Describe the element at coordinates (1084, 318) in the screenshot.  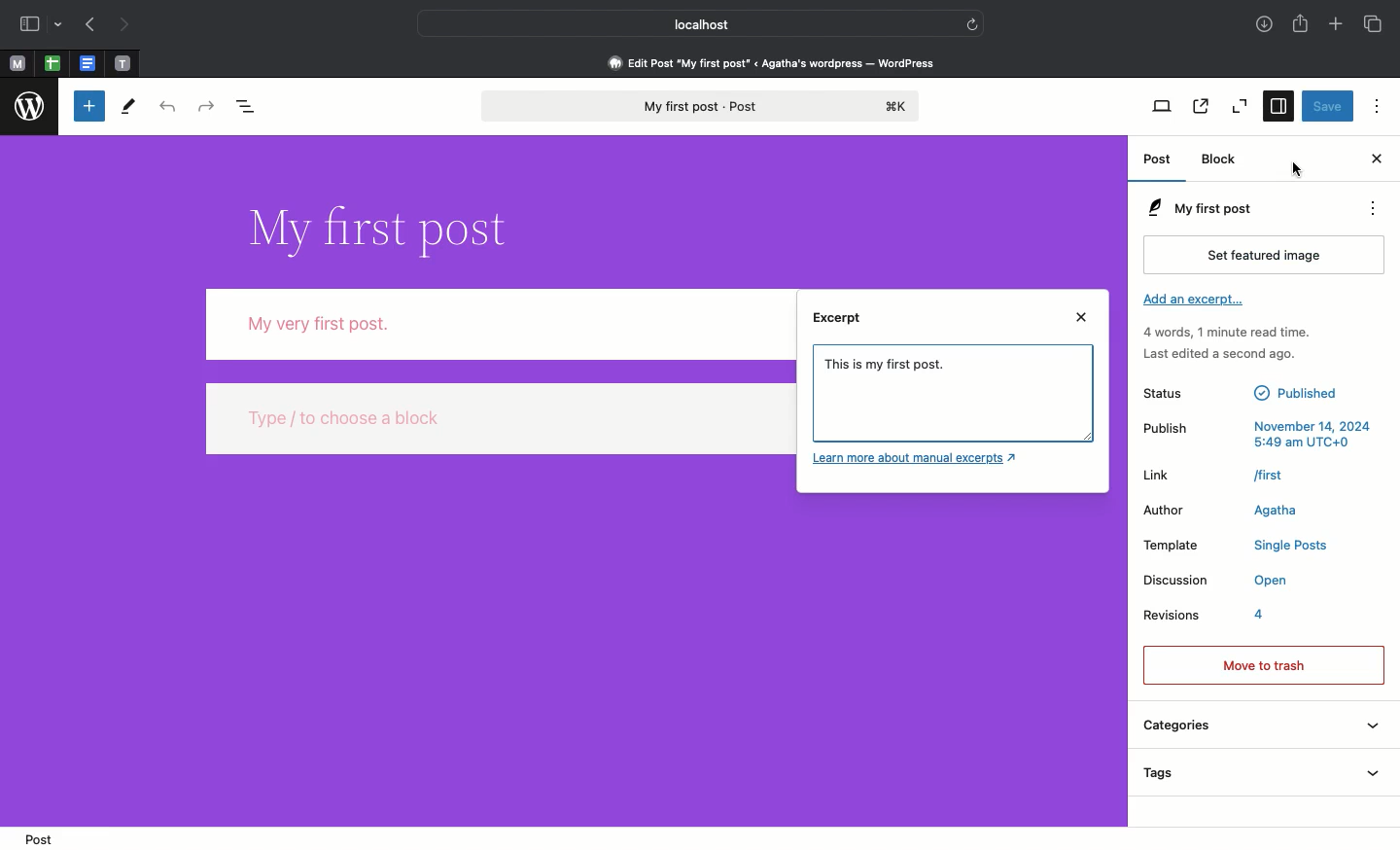
I see `Close` at that location.